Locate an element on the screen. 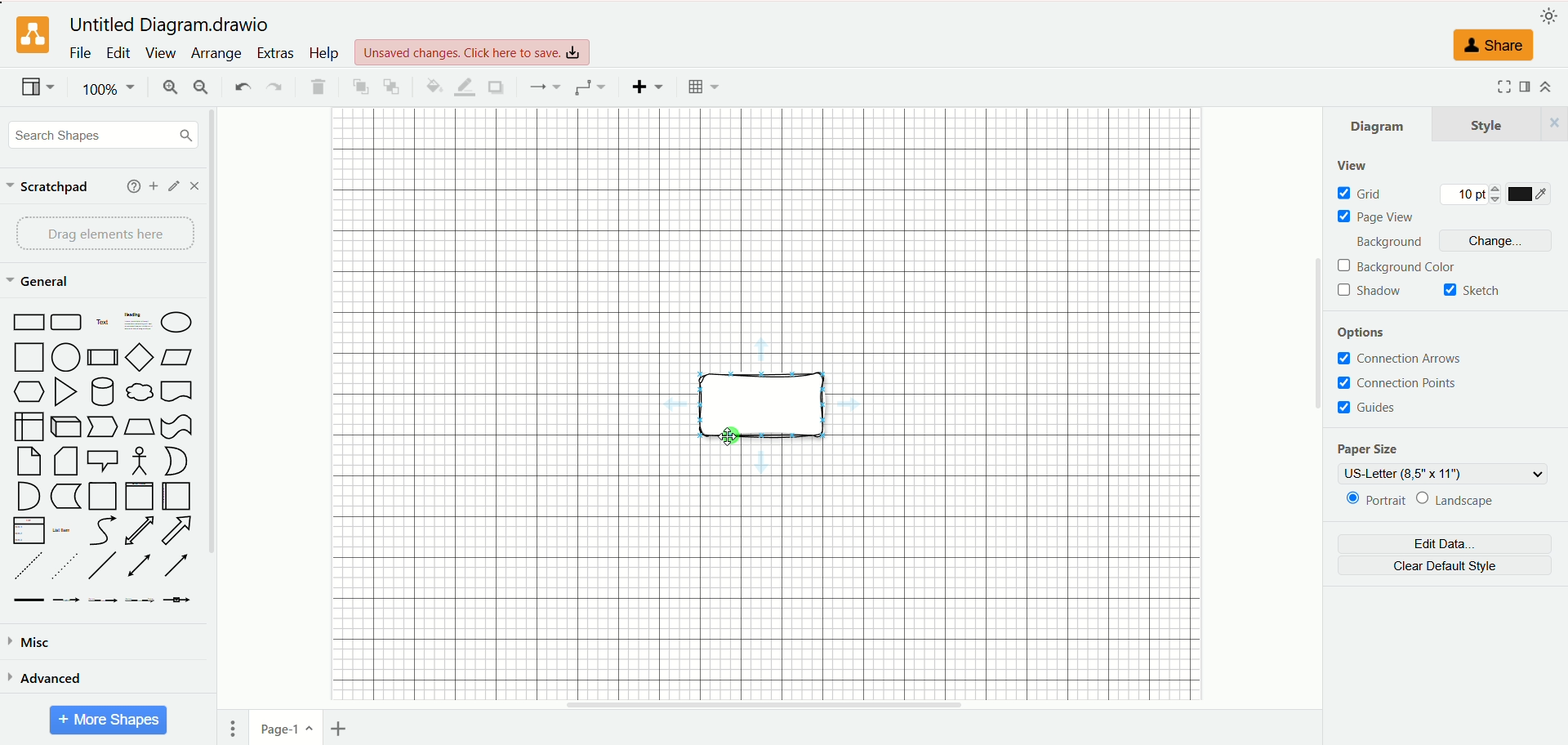 This screenshot has height=745, width=1568. connection is located at coordinates (542, 87).